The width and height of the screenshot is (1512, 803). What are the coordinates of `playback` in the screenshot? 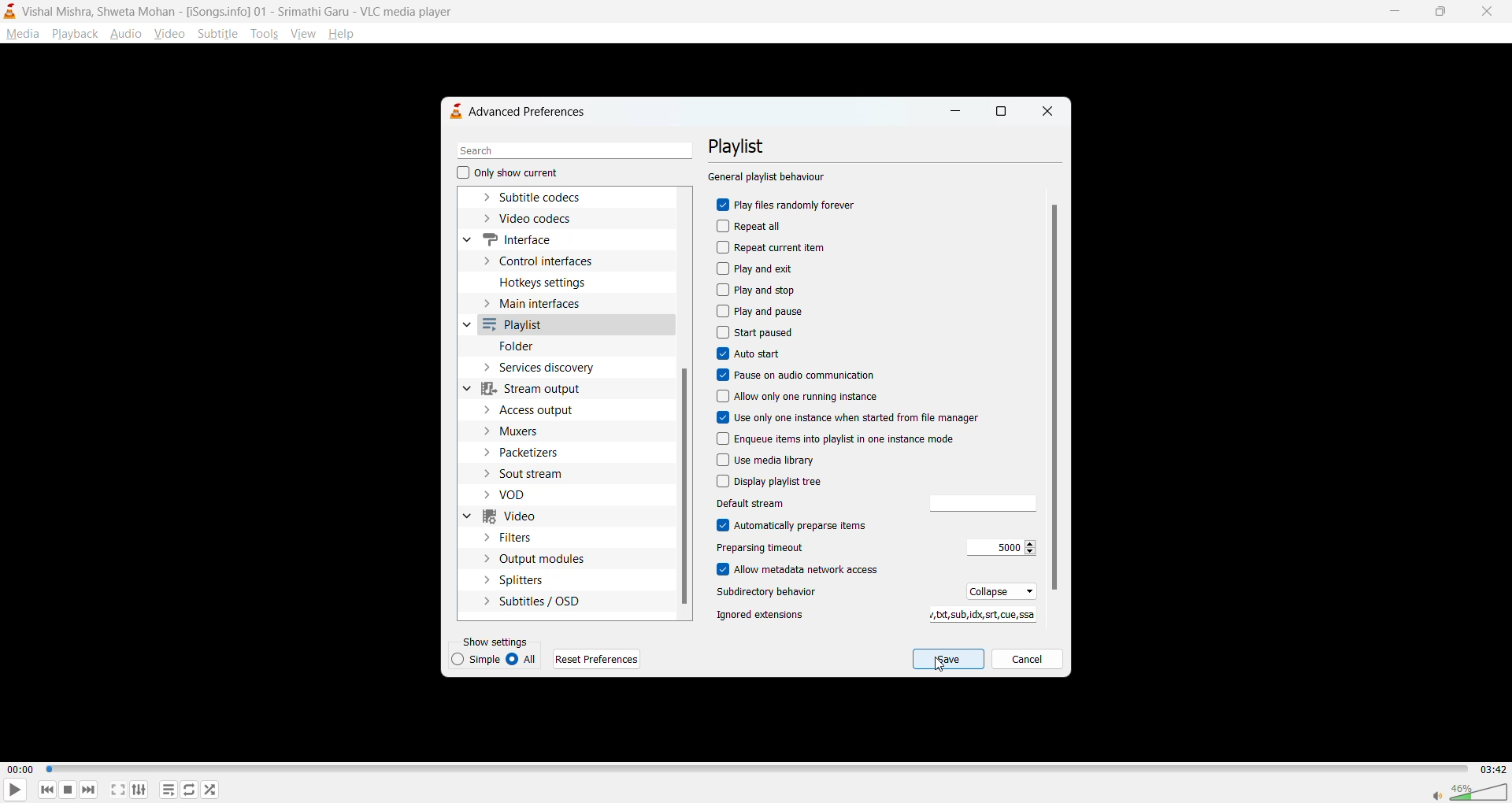 It's located at (74, 33).